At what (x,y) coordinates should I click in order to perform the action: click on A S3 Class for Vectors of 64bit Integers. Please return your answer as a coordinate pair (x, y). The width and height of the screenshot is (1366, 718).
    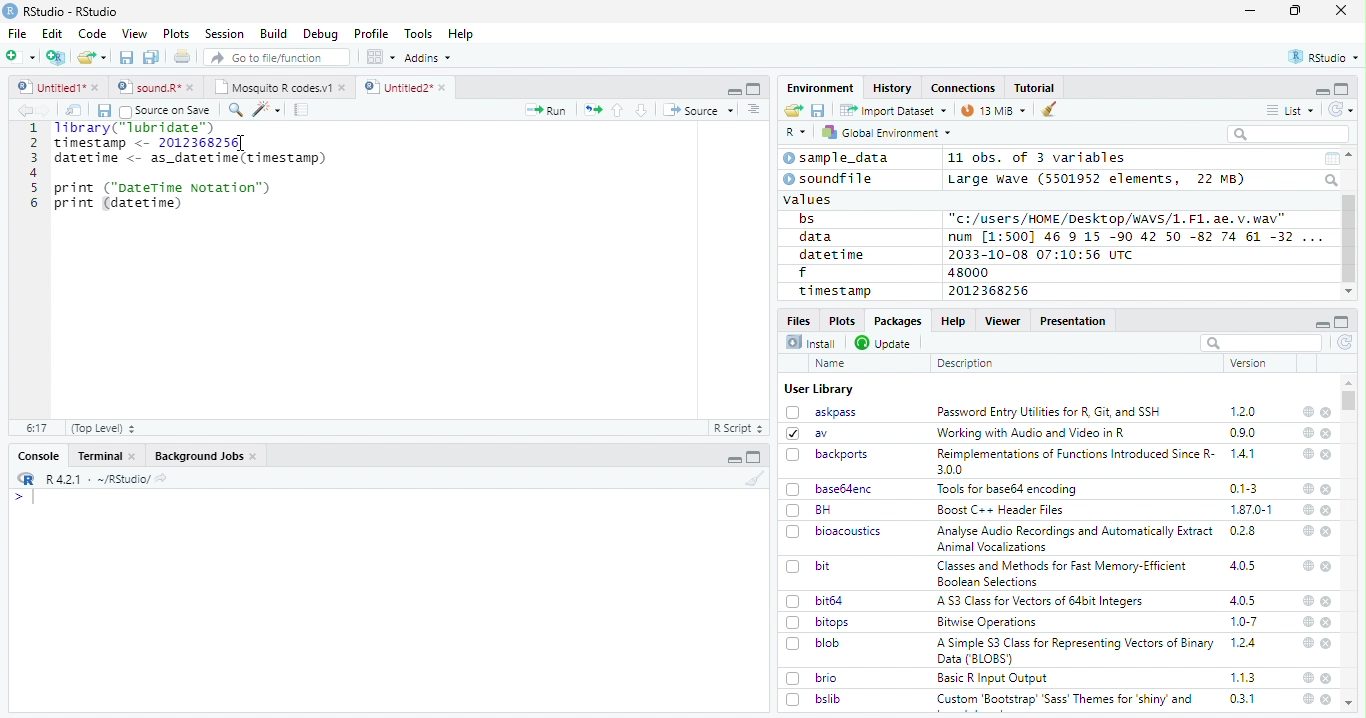
    Looking at the image, I should click on (1042, 602).